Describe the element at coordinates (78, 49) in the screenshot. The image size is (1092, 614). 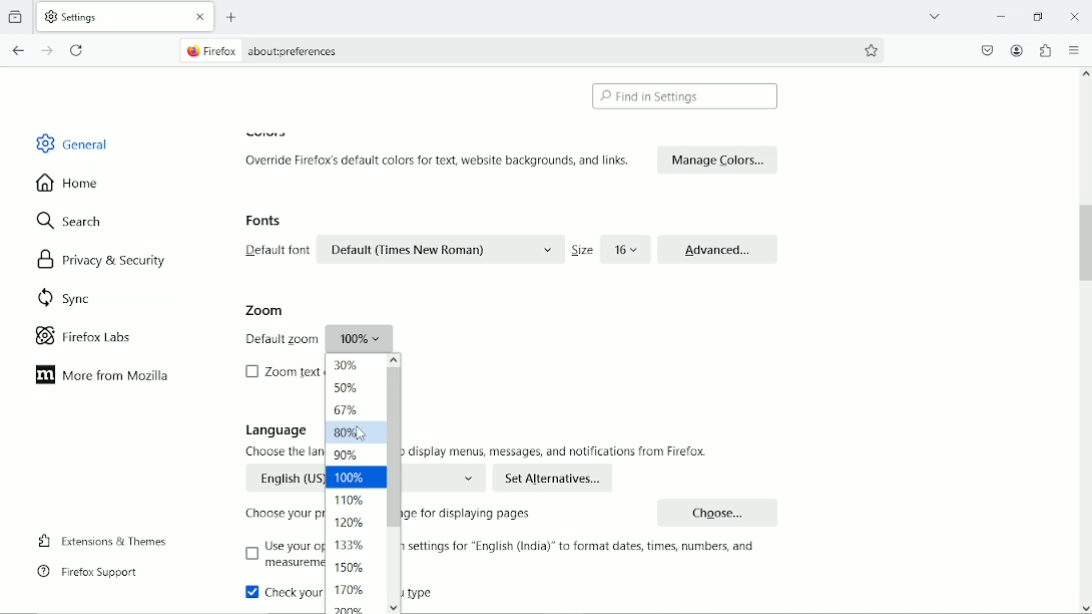
I see `reload current page` at that location.